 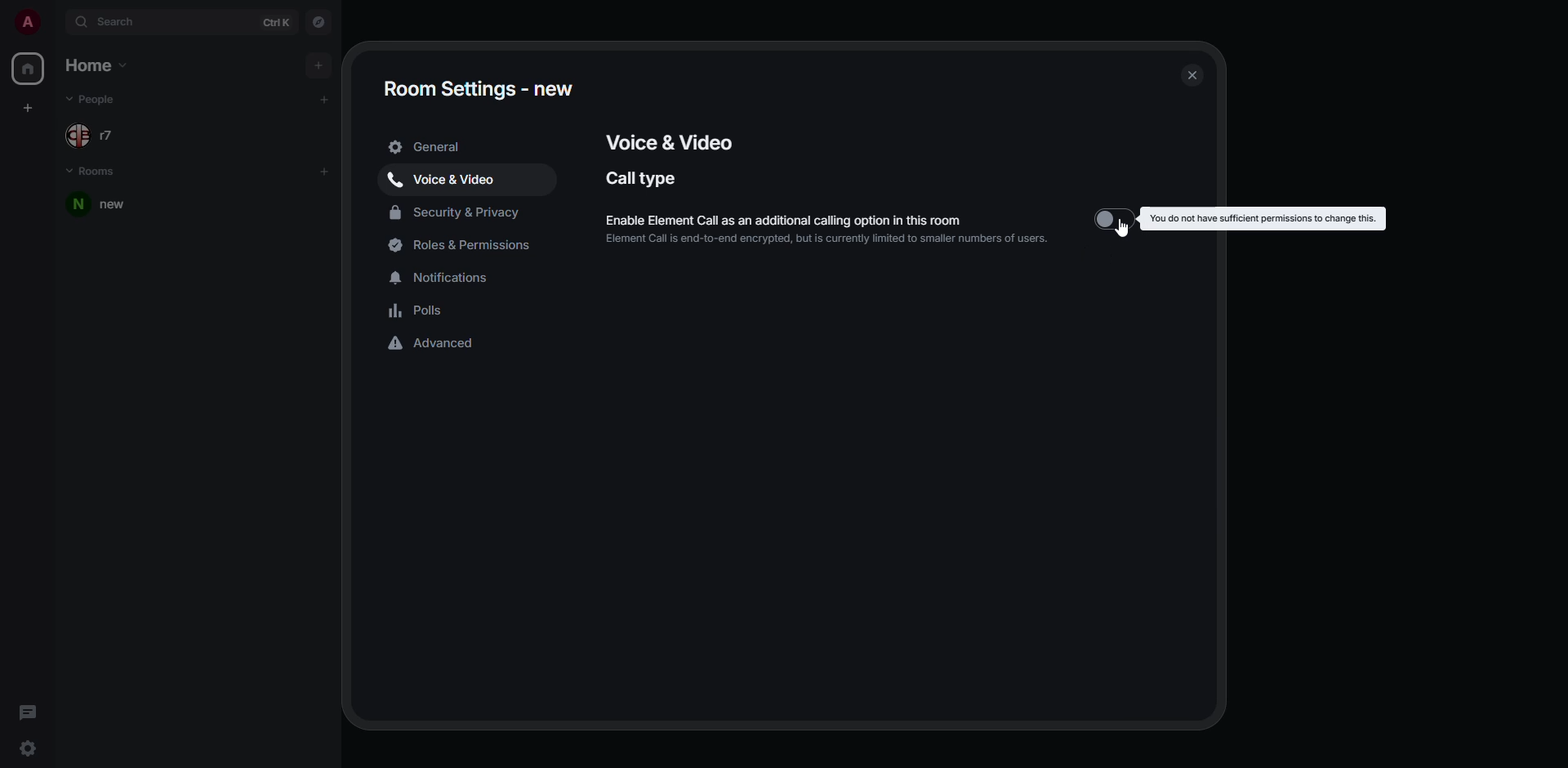 I want to click on people, so click(x=100, y=97).